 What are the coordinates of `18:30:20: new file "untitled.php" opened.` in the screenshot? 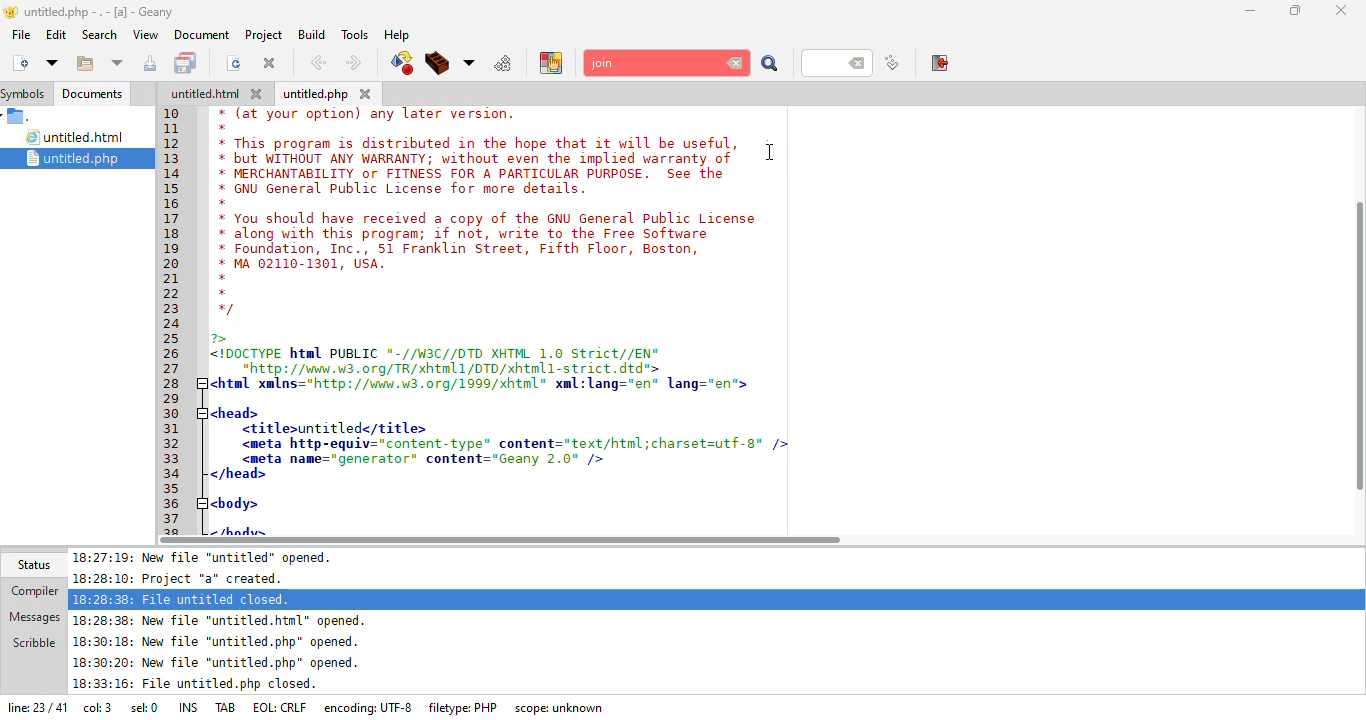 It's located at (217, 665).